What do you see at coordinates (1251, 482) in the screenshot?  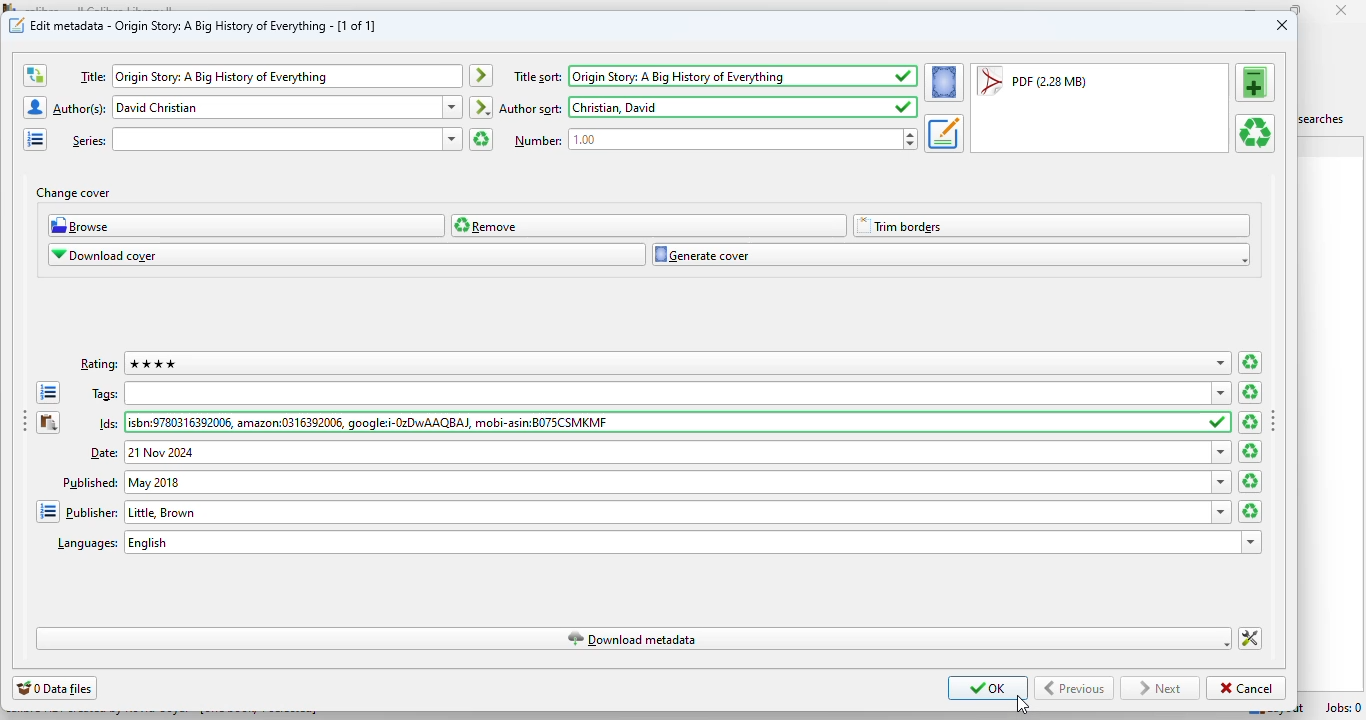 I see `clear date` at bounding box center [1251, 482].